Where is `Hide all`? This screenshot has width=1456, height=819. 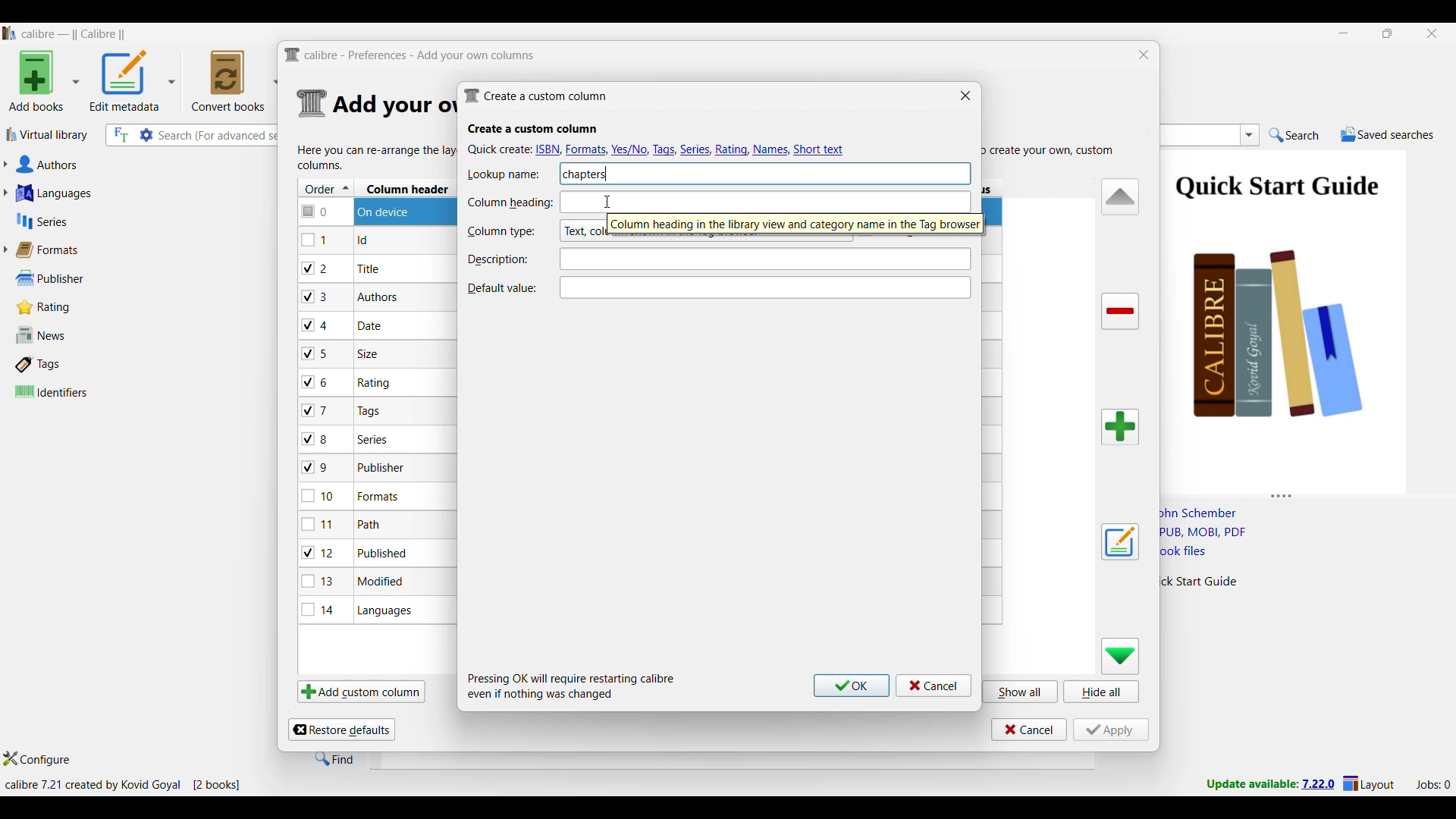
Hide all is located at coordinates (1101, 692).